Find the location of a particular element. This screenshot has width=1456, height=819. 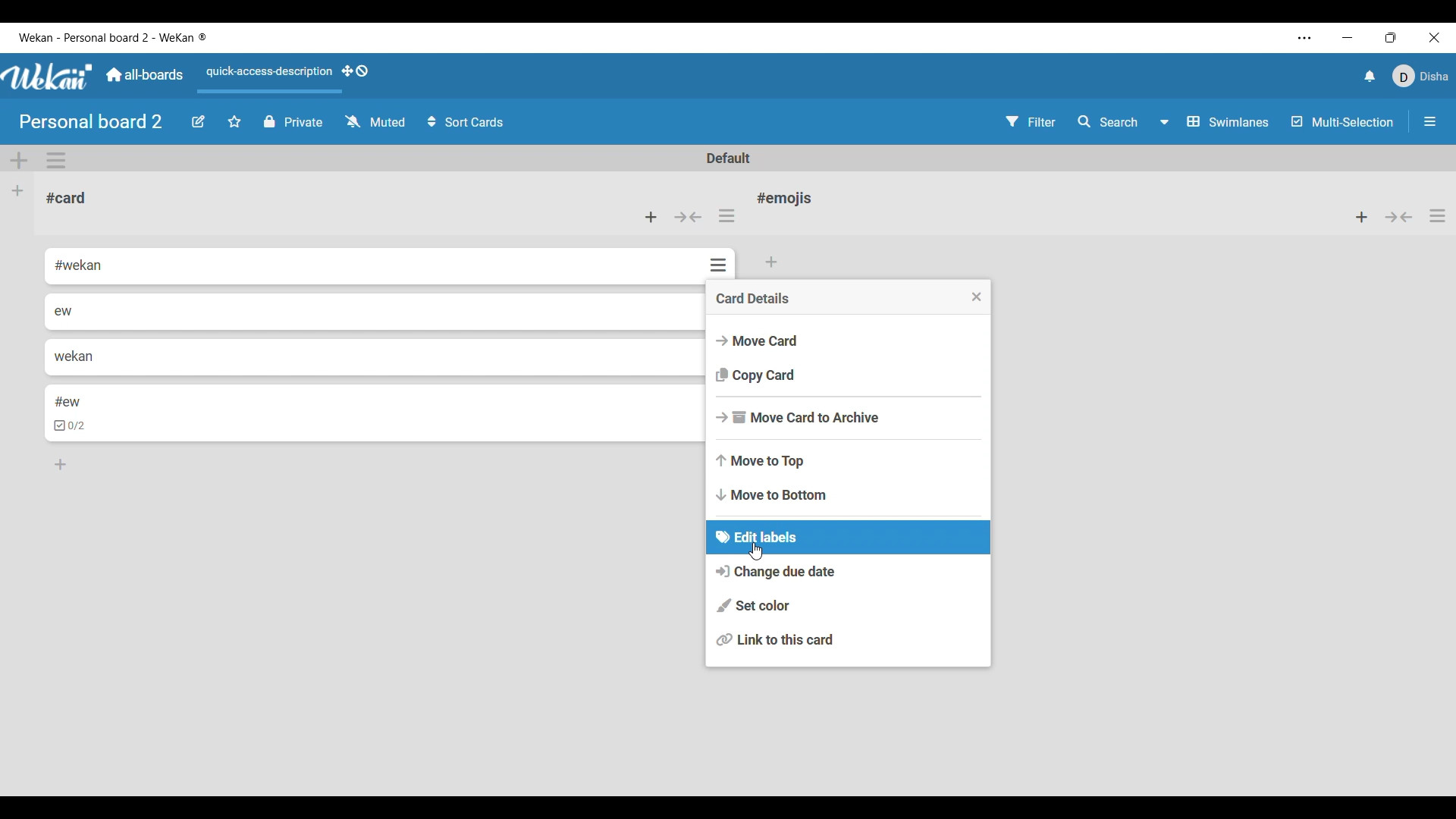

Click to star board is located at coordinates (234, 122).